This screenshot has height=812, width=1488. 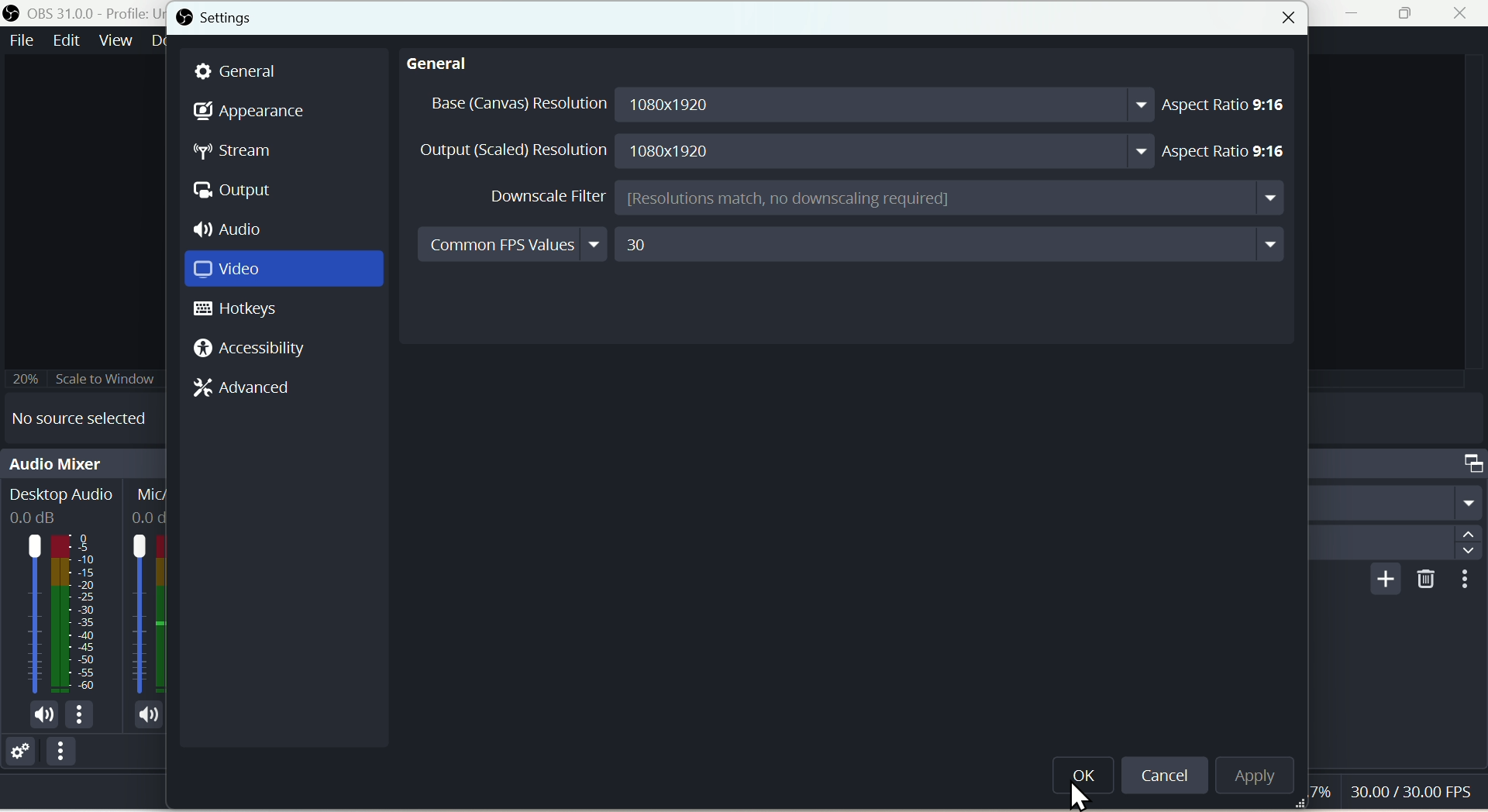 What do you see at coordinates (249, 348) in the screenshot?
I see `Accessibility` at bounding box center [249, 348].